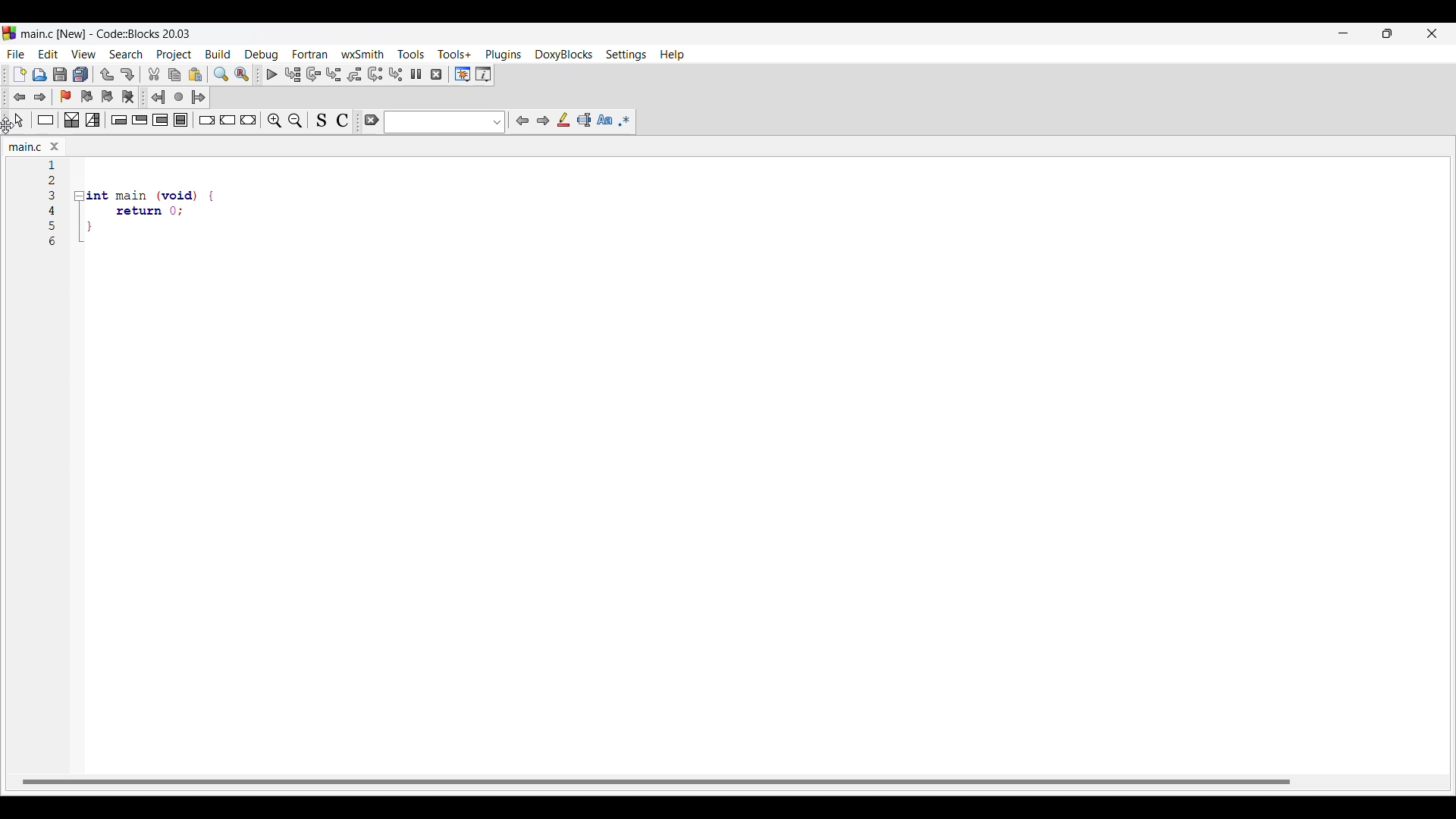 The image size is (1456, 819). I want to click on Last jump, so click(179, 96).